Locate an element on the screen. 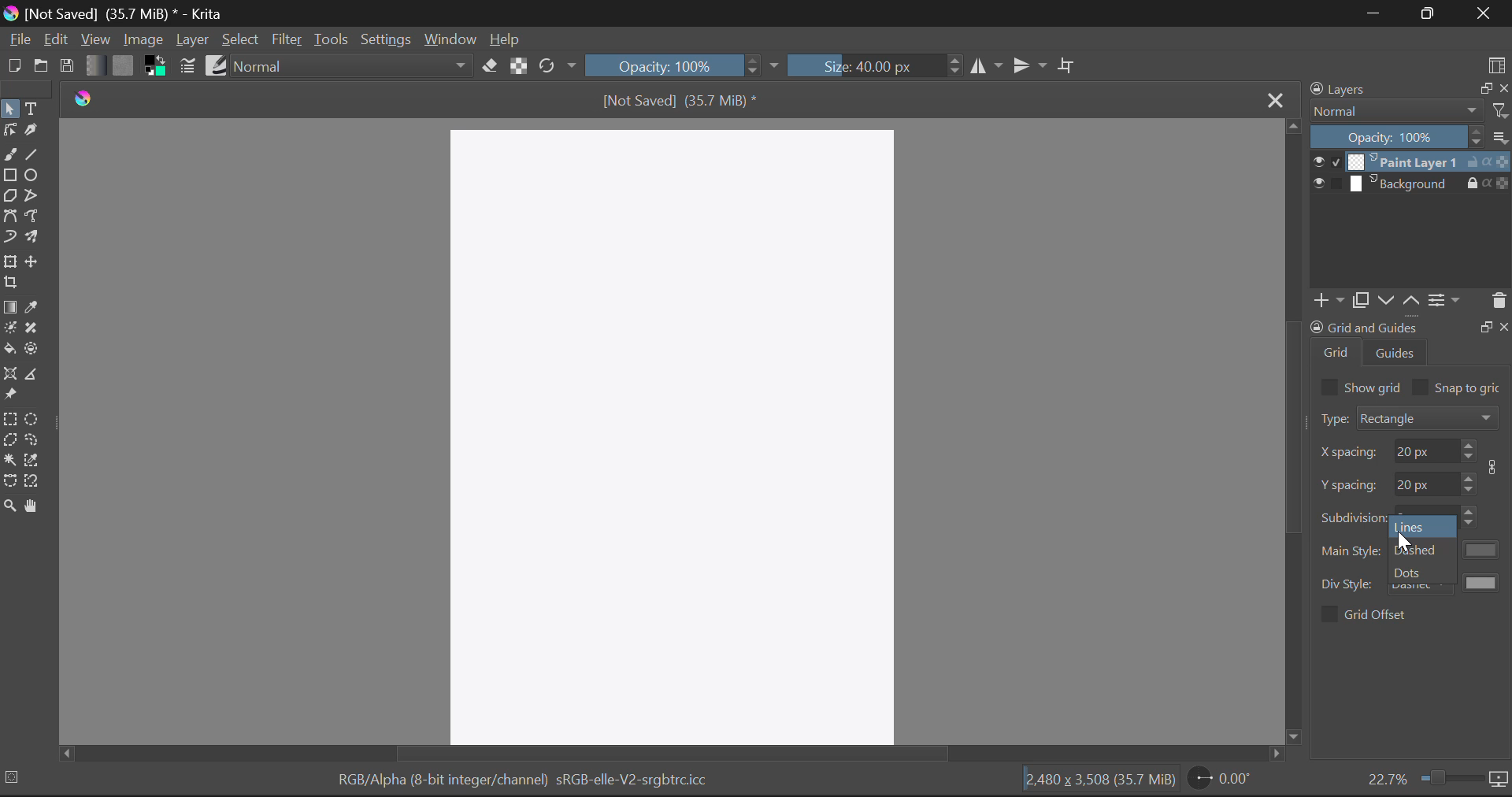  Line is located at coordinates (32, 156).